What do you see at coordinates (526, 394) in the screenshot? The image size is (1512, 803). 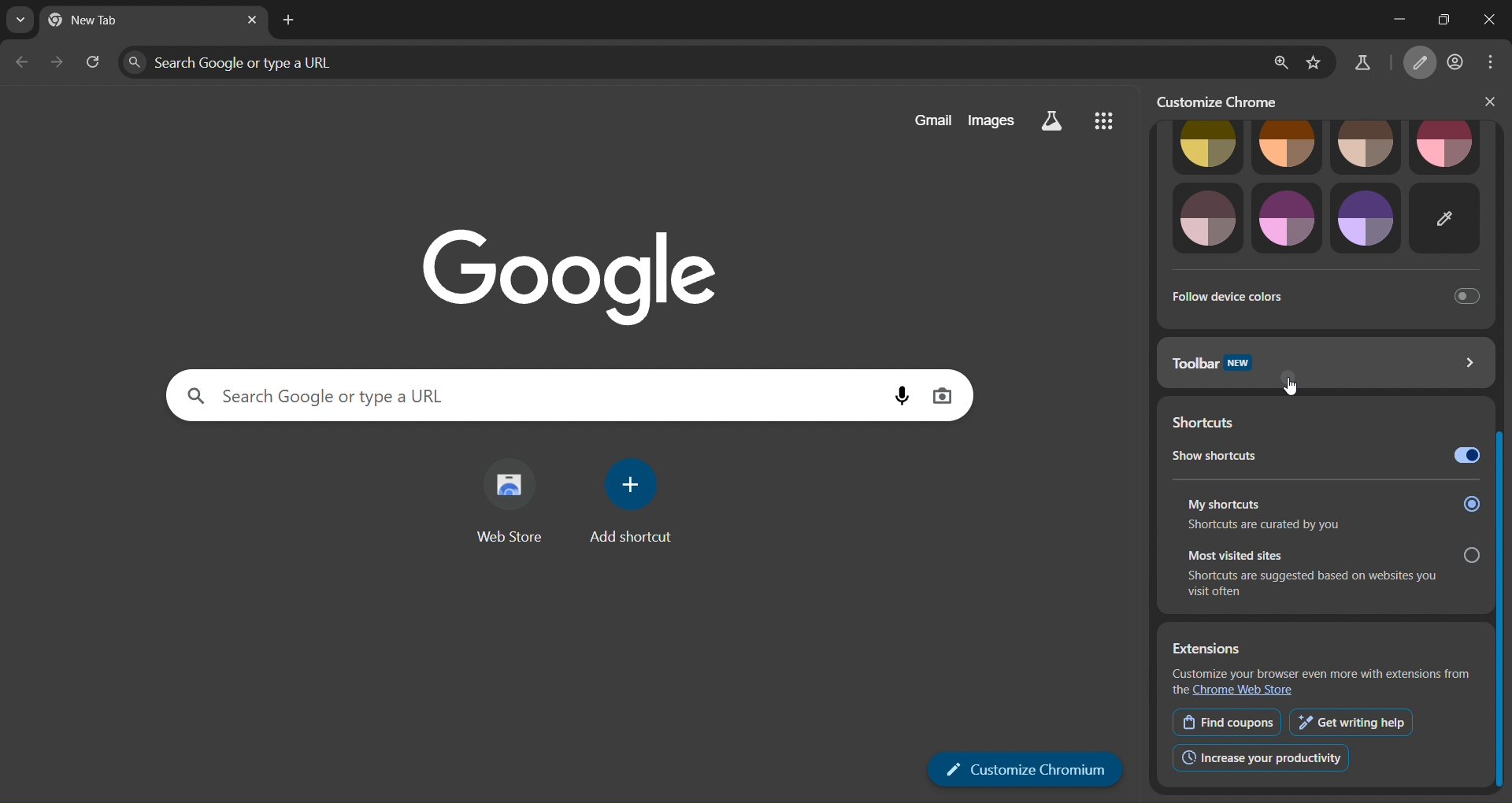 I see `Search google or type a URL` at bounding box center [526, 394].